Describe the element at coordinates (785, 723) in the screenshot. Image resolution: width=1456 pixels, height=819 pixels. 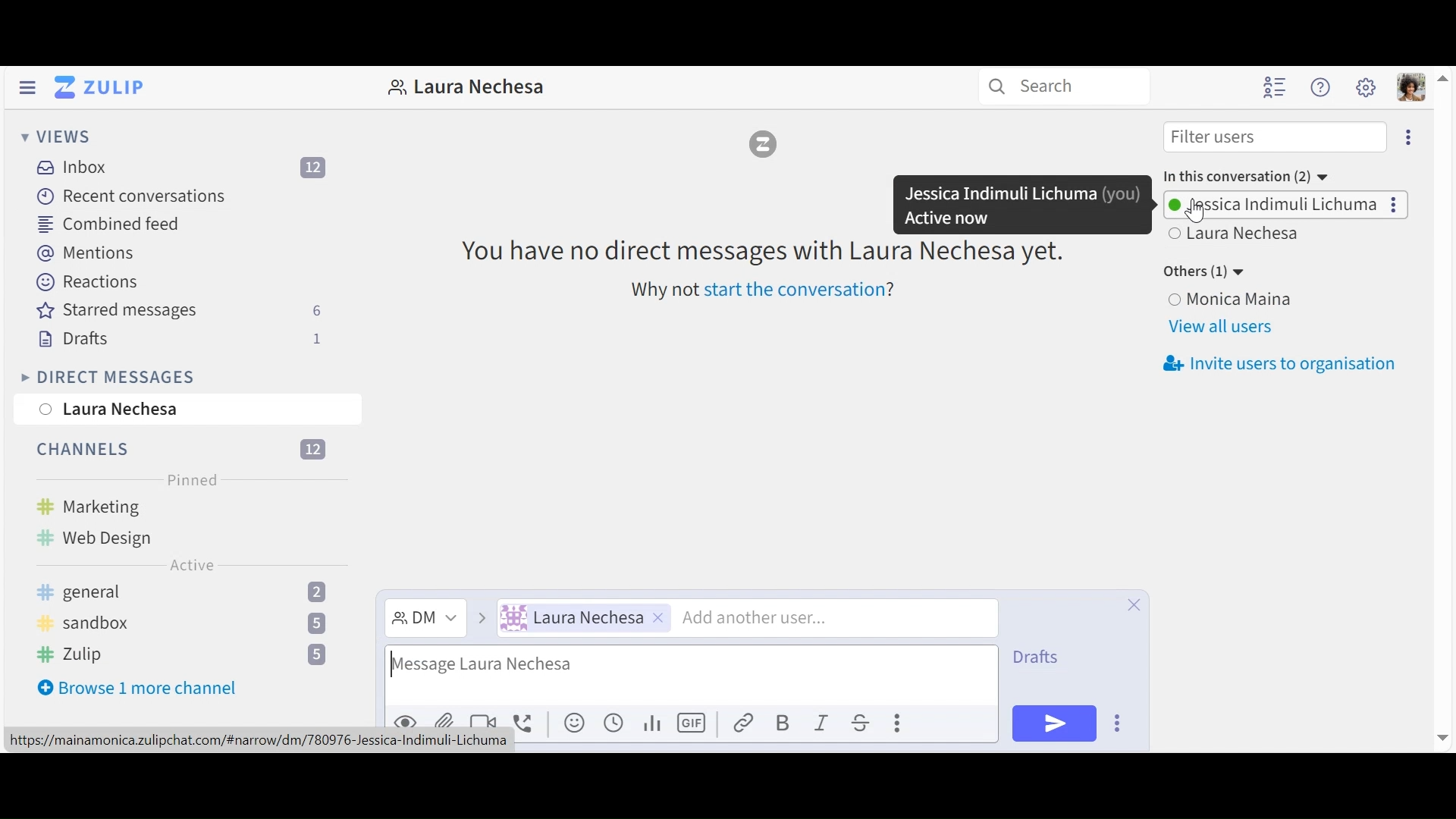
I see `Bold` at that location.